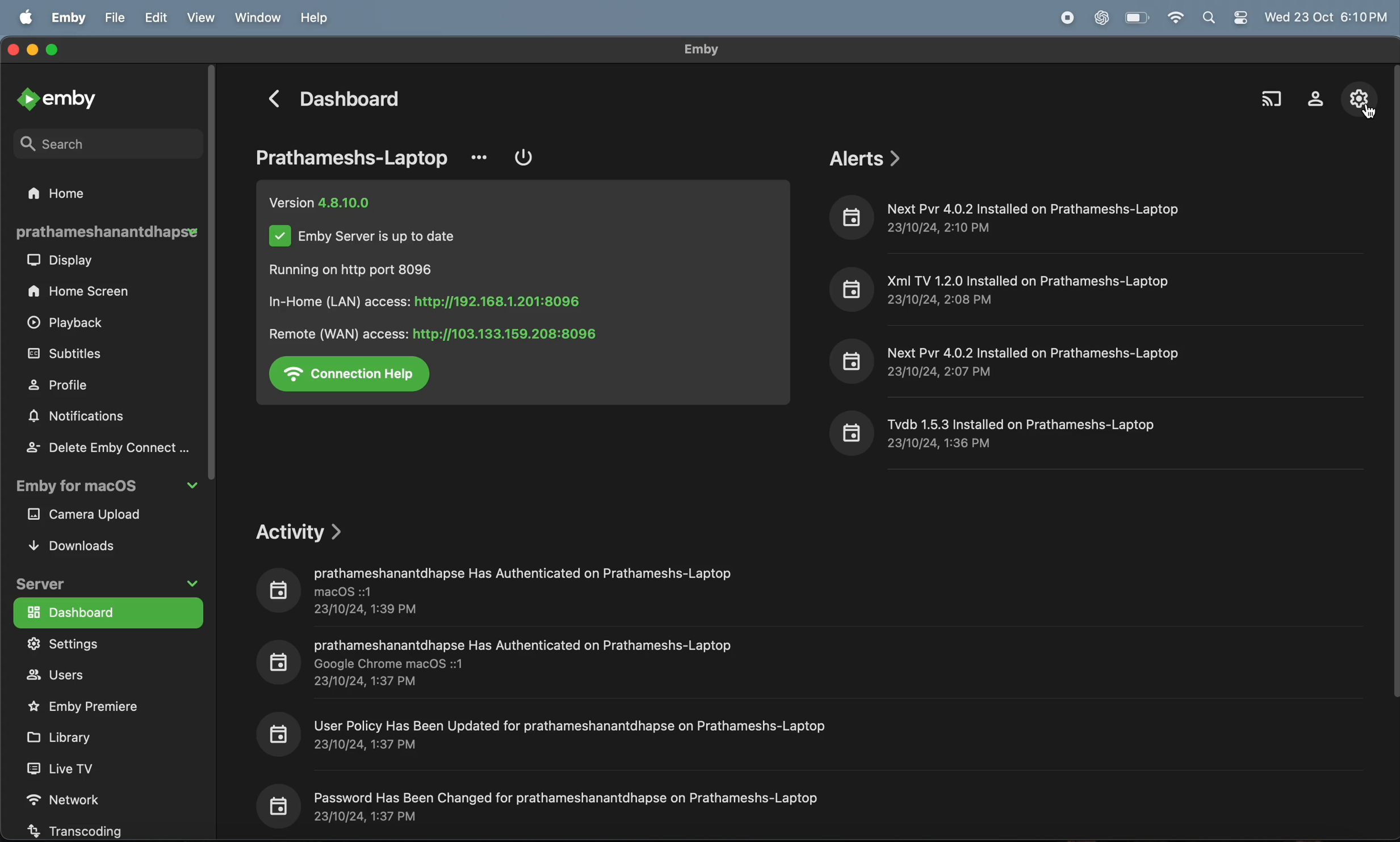  I want to click on network, so click(74, 802).